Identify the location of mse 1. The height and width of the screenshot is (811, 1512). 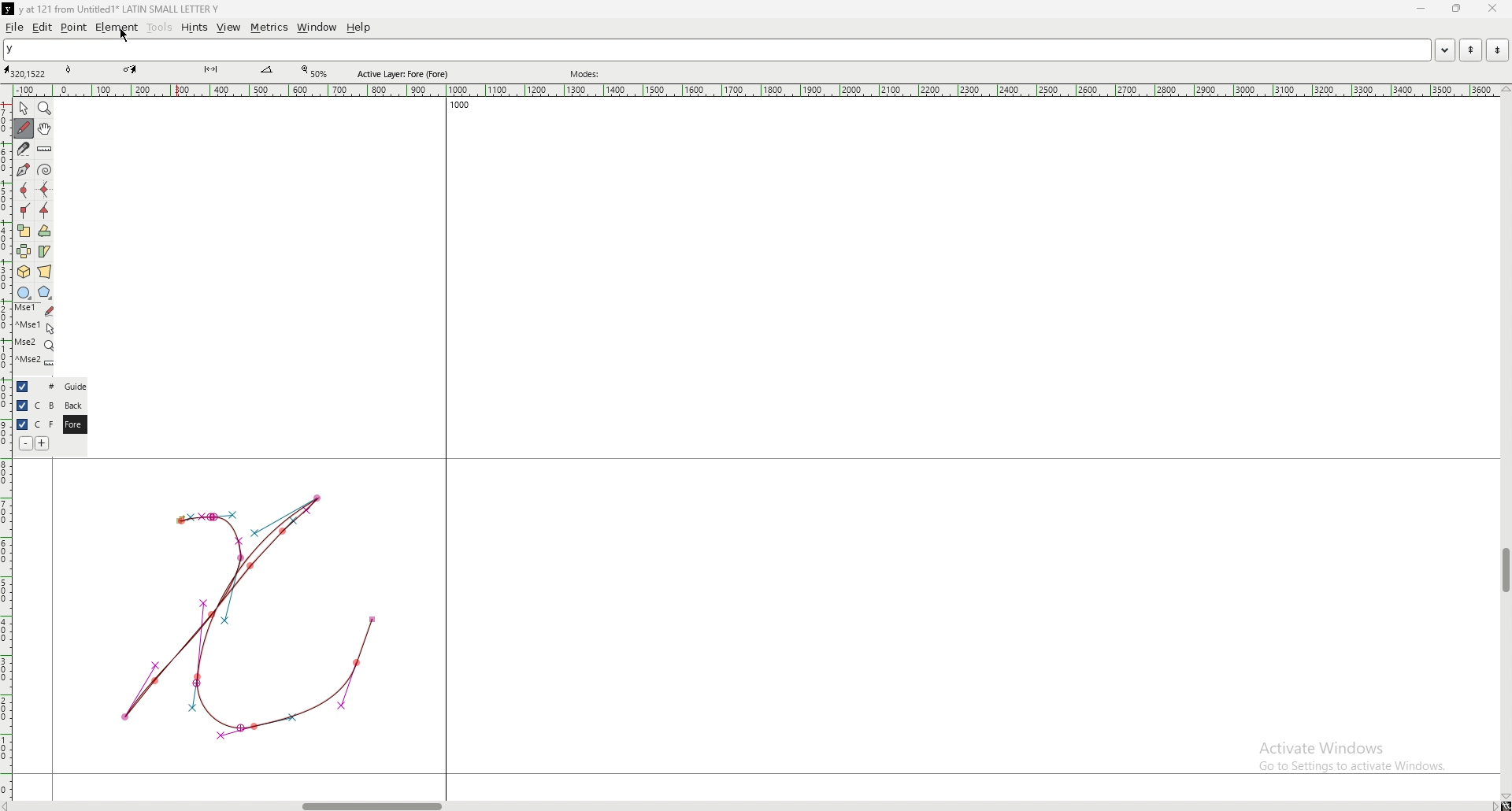
(34, 309).